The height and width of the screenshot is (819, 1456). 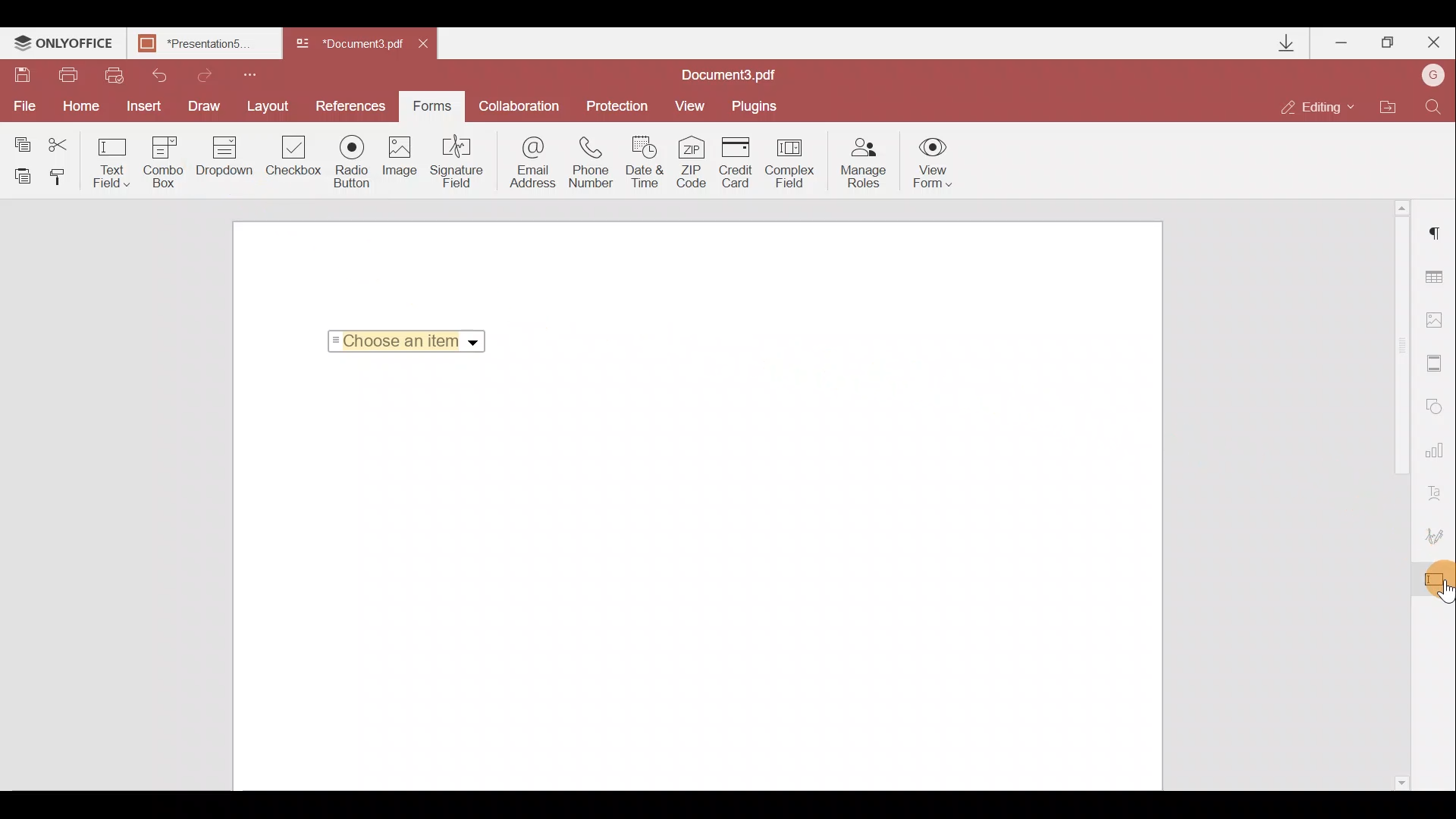 I want to click on Date & time, so click(x=648, y=162).